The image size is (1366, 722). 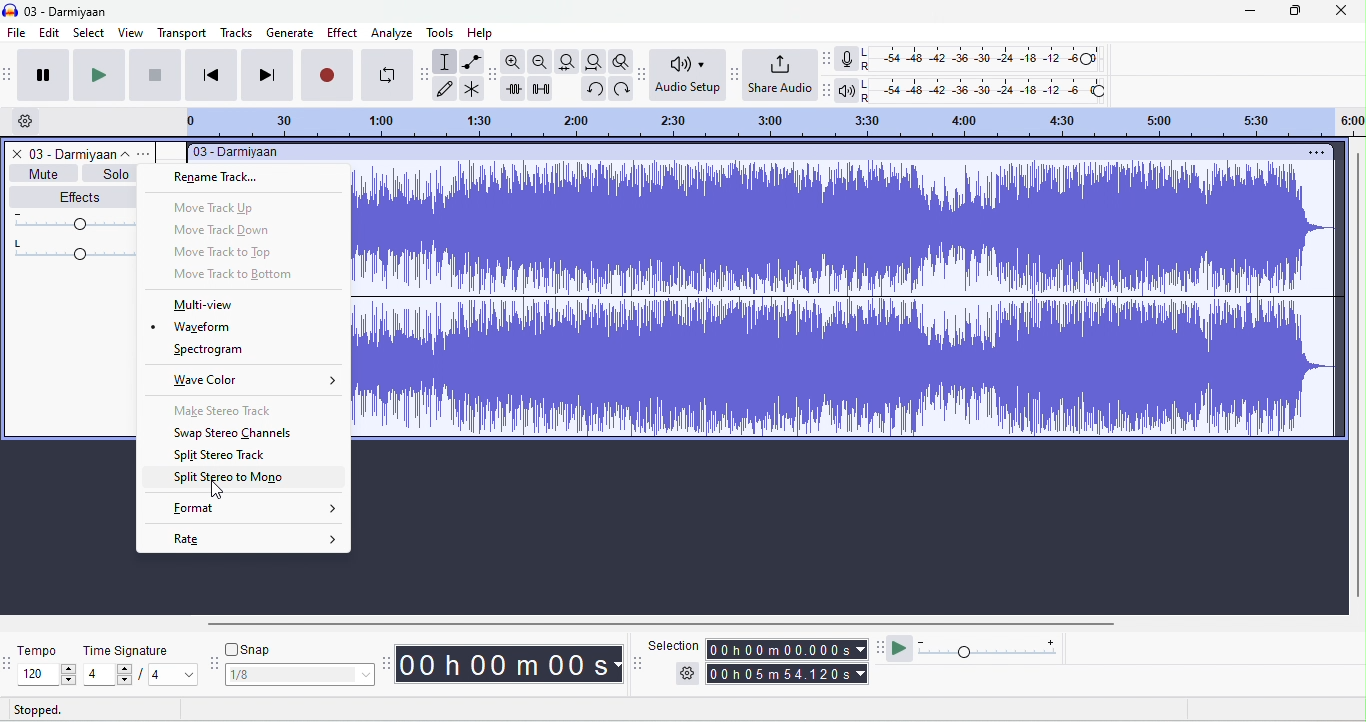 What do you see at coordinates (984, 59) in the screenshot?
I see `recoding level` at bounding box center [984, 59].